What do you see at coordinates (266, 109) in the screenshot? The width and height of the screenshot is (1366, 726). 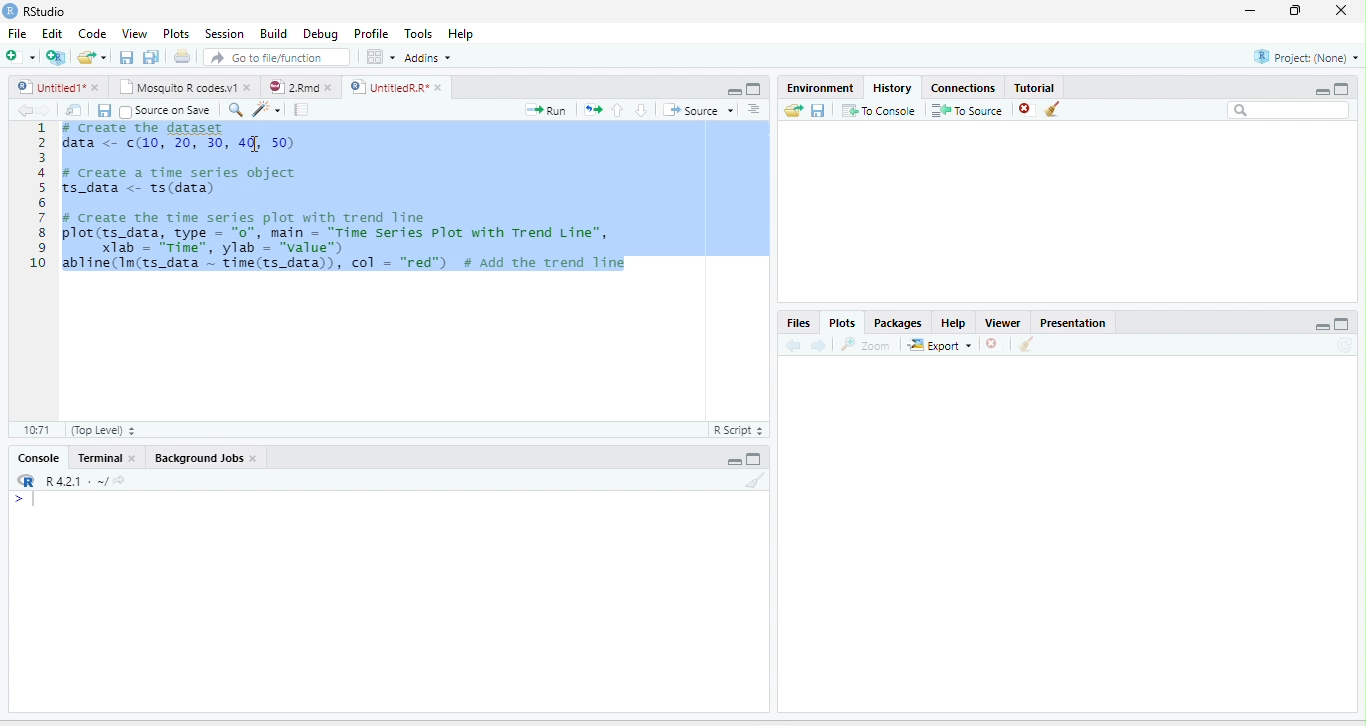 I see `Code tools` at bounding box center [266, 109].